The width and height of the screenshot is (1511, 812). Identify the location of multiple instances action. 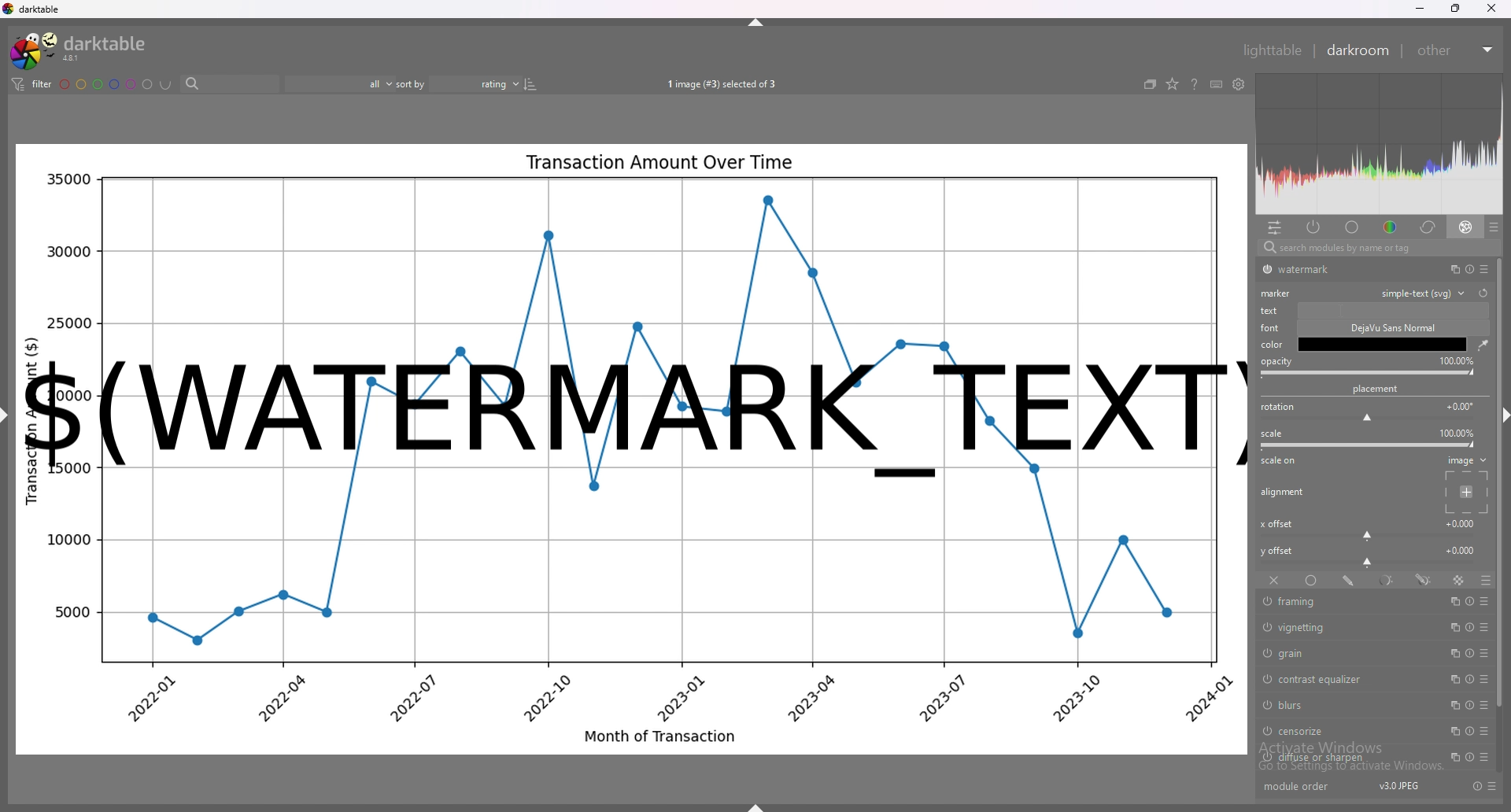
(1453, 705).